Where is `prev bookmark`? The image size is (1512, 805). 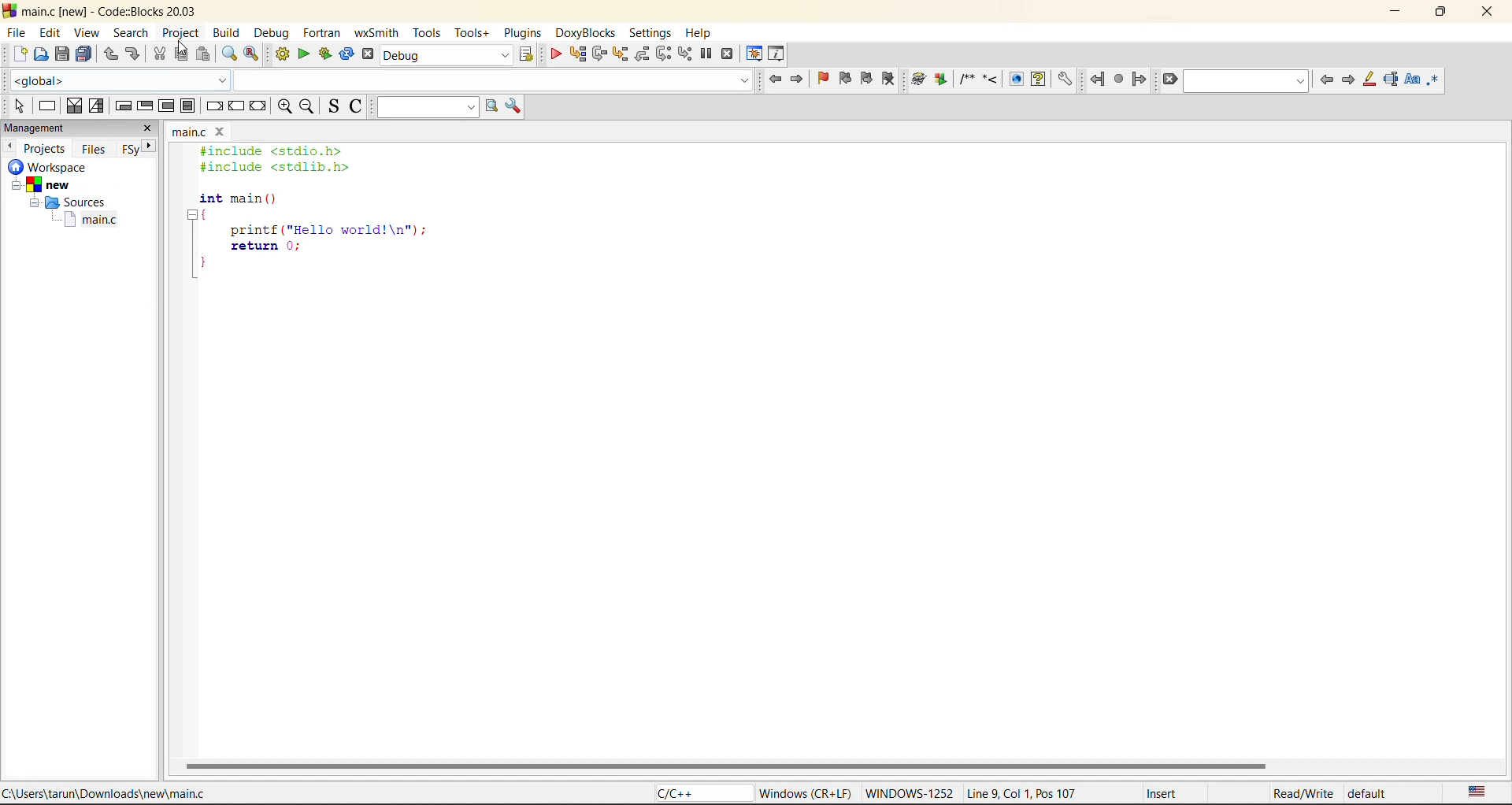
prev bookmark is located at coordinates (845, 80).